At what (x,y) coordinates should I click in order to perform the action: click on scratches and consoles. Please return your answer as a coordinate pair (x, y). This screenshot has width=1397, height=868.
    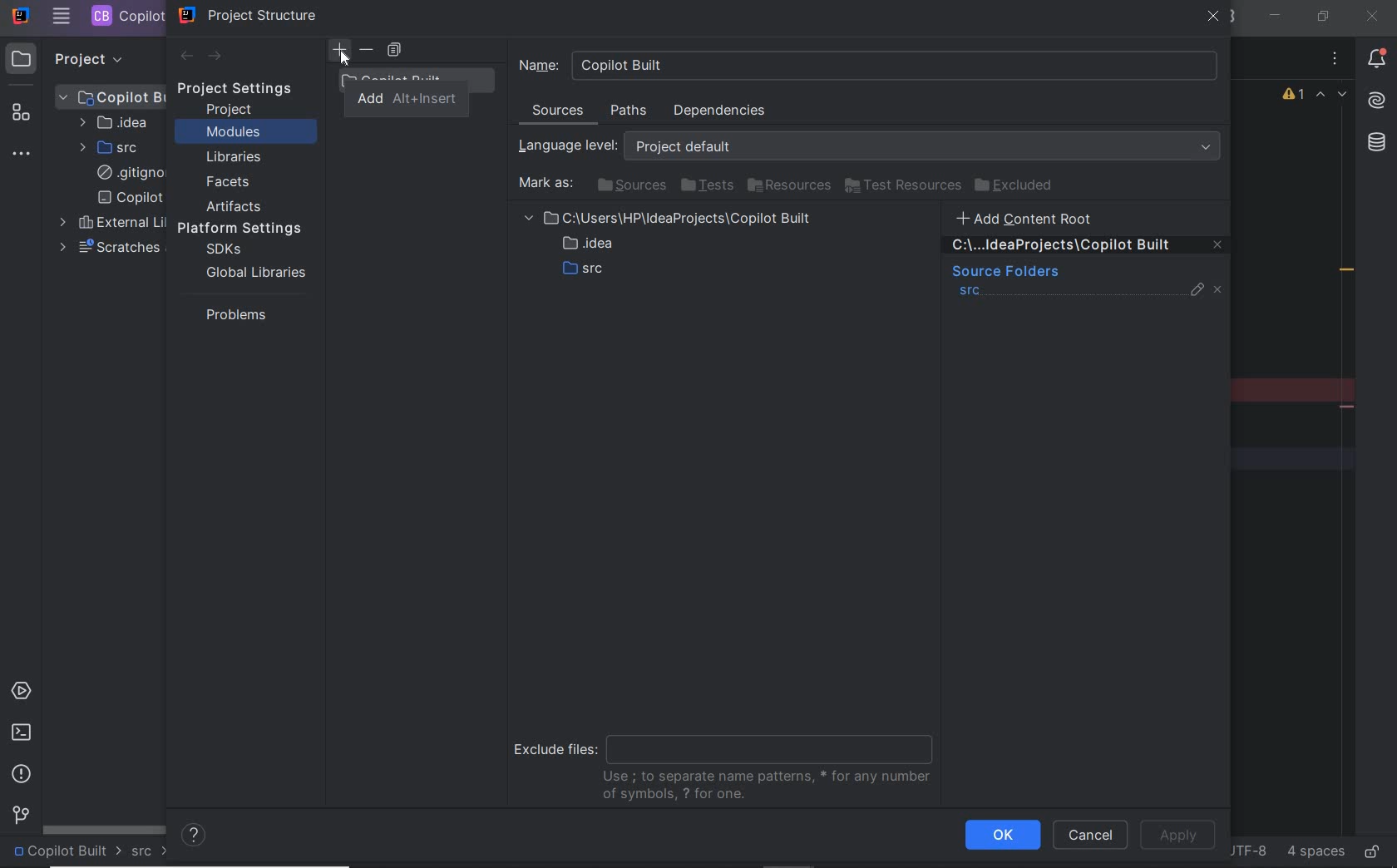
    Looking at the image, I should click on (109, 248).